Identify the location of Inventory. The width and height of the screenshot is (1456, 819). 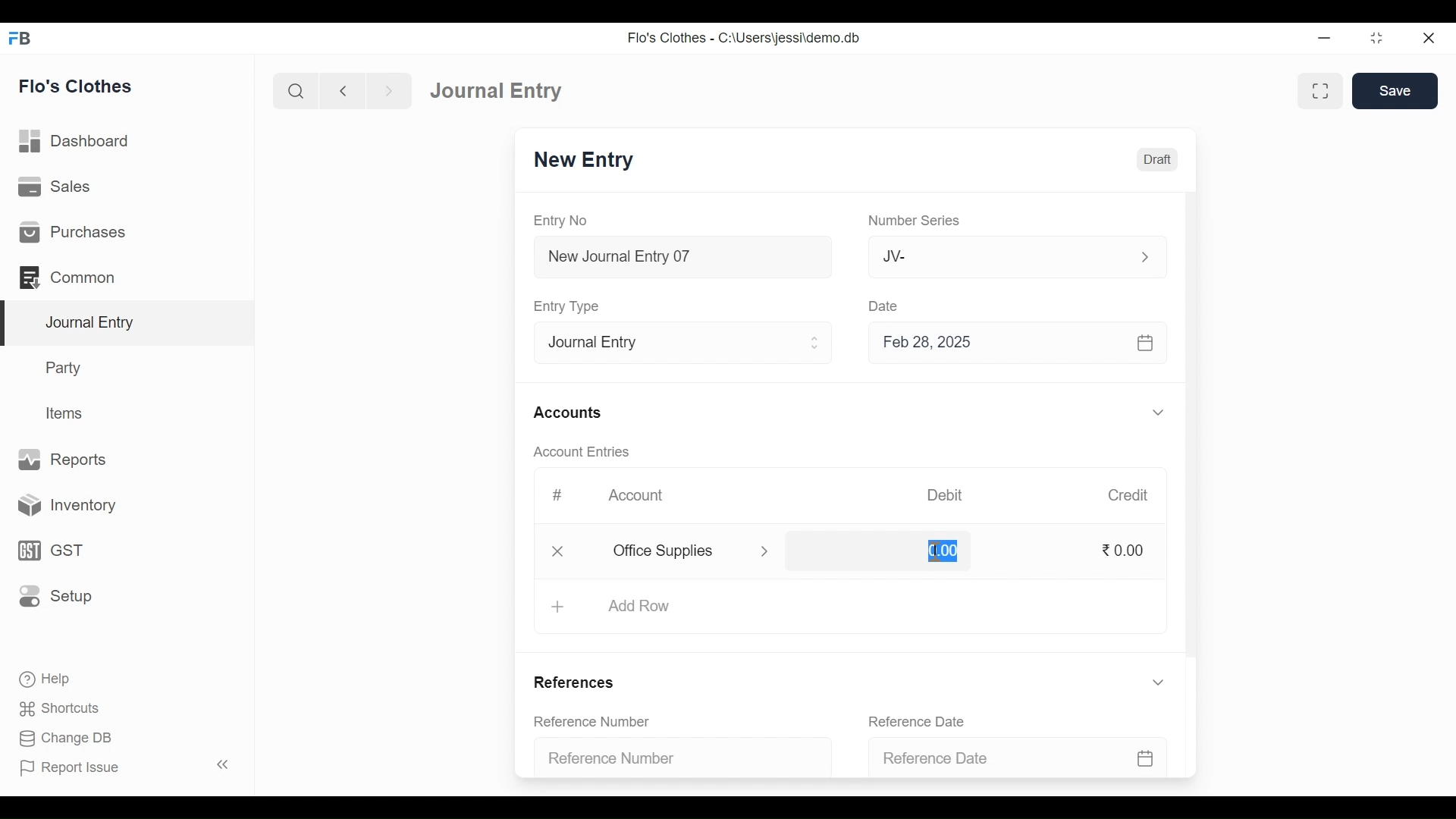
(61, 507).